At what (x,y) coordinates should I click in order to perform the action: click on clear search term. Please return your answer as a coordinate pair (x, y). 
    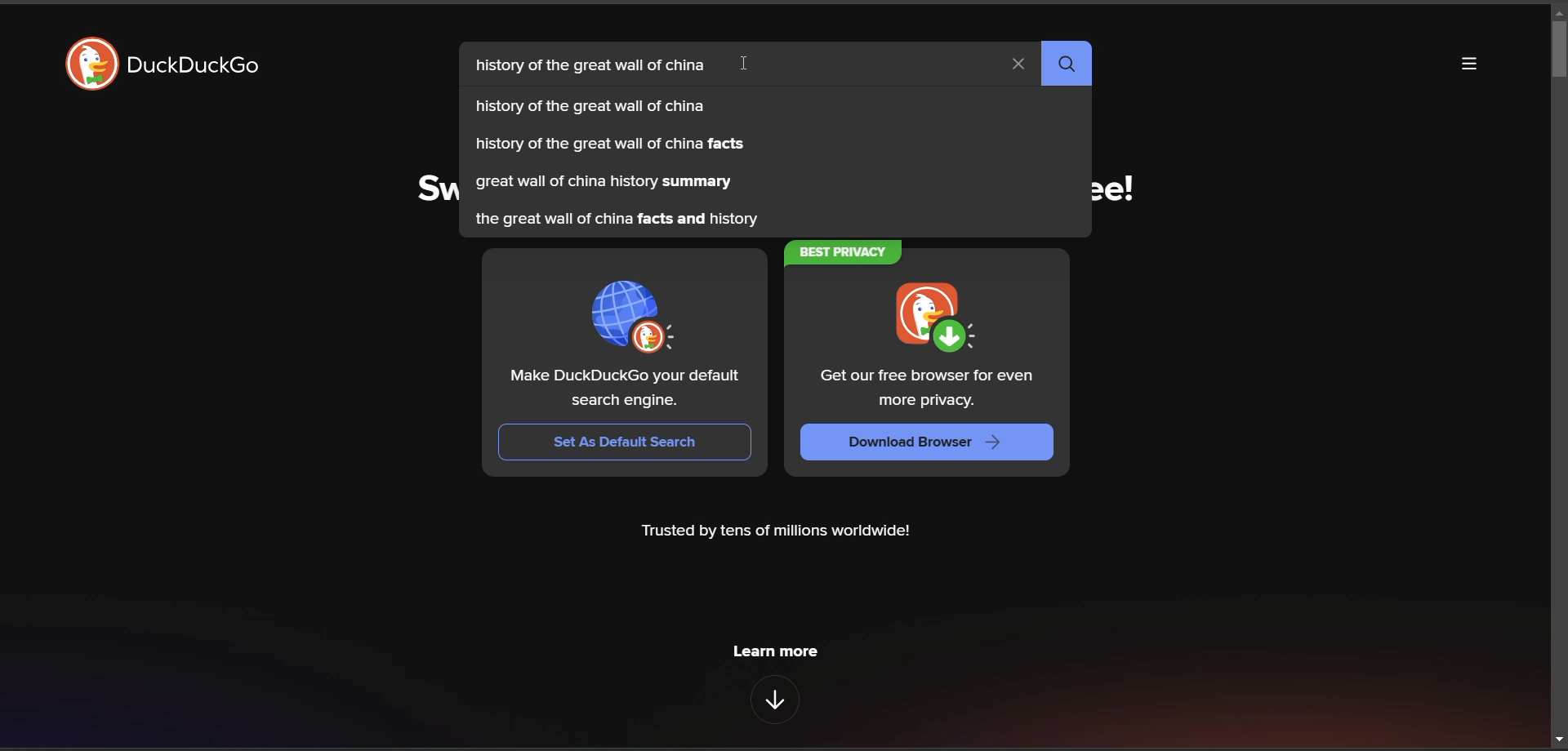
    Looking at the image, I should click on (1017, 64).